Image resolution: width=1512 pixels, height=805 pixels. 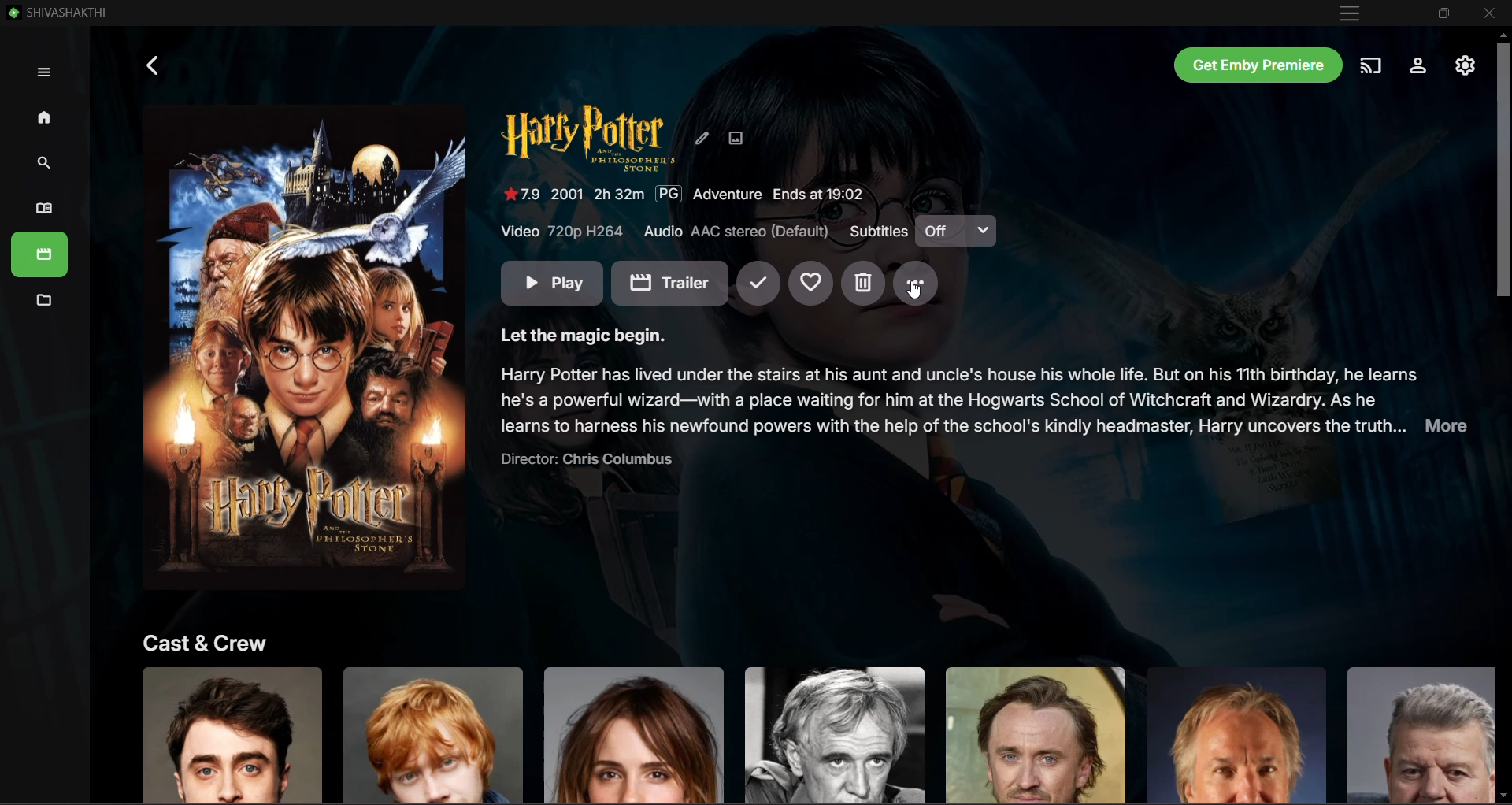 I want to click on Click to know more about actor, so click(x=1035, y=735).